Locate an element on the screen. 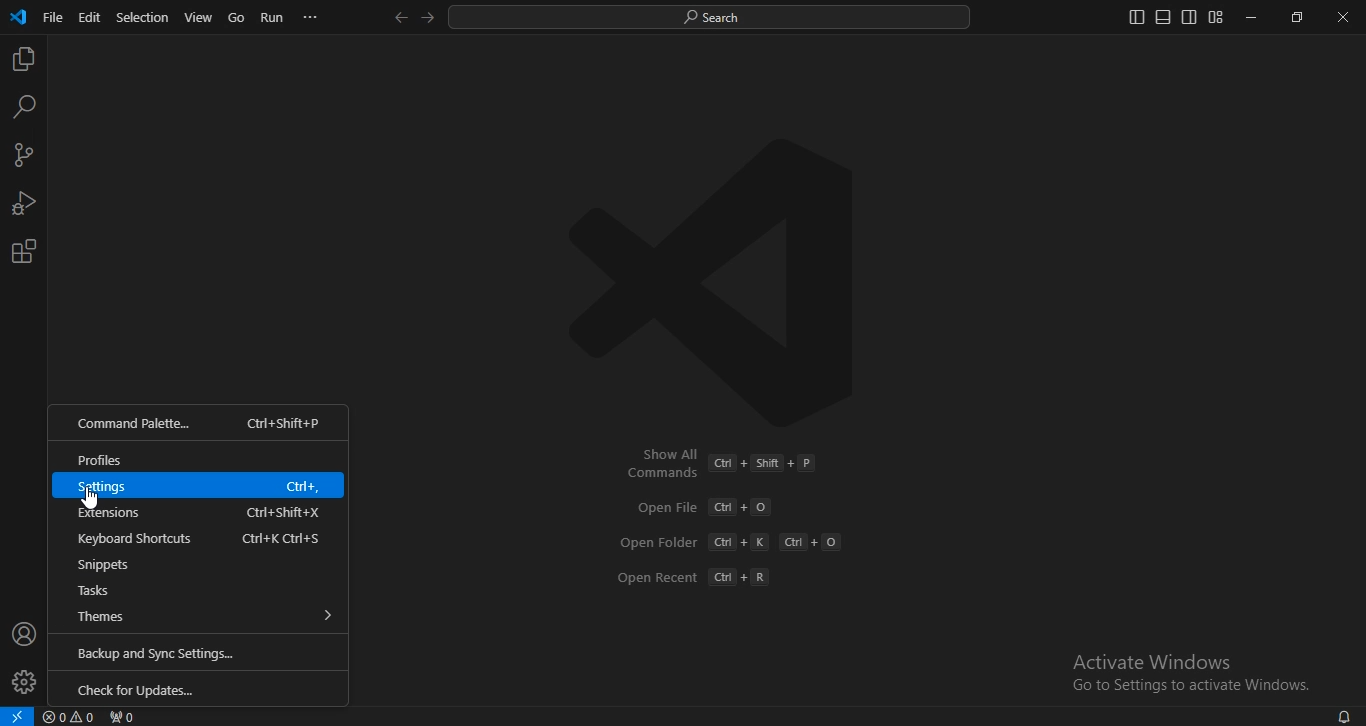 The height and width of the screenshot is (726, 1366). restore down is located at coordinates (1297, 17).